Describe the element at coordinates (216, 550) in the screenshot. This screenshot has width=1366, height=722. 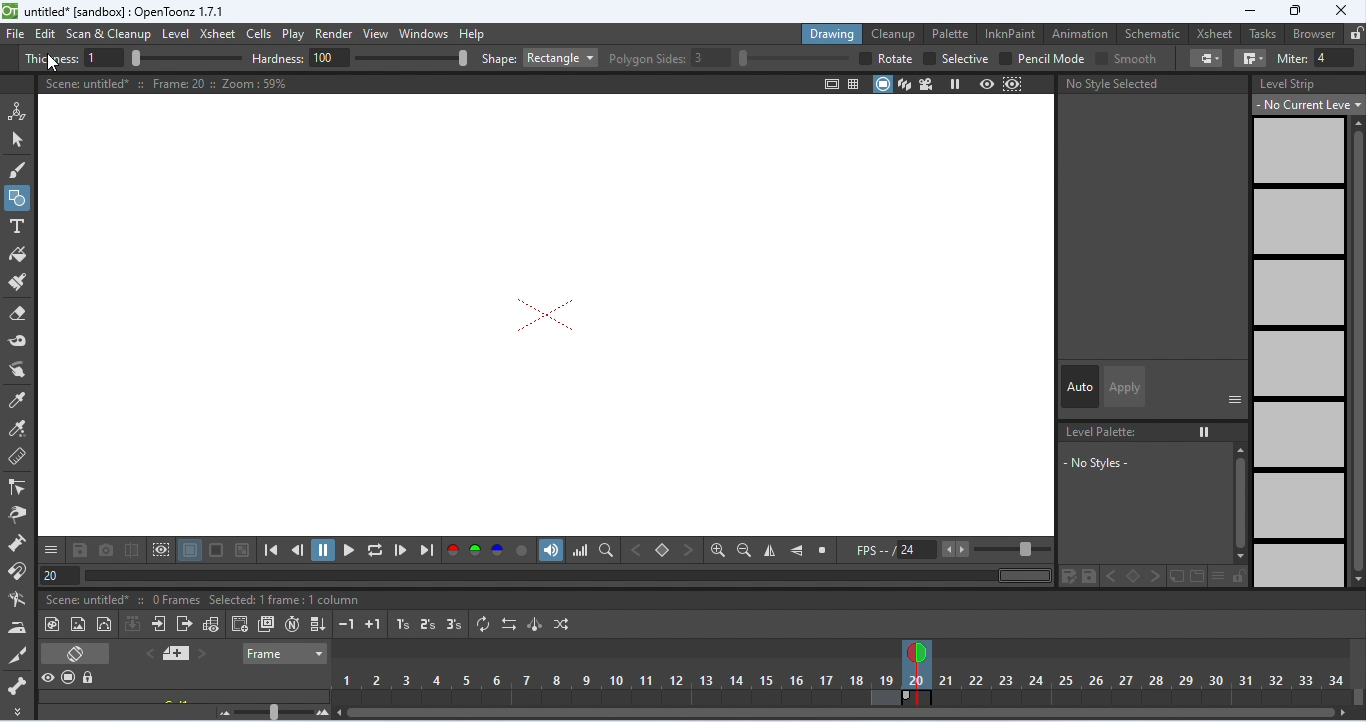
I see `black background` at that location.